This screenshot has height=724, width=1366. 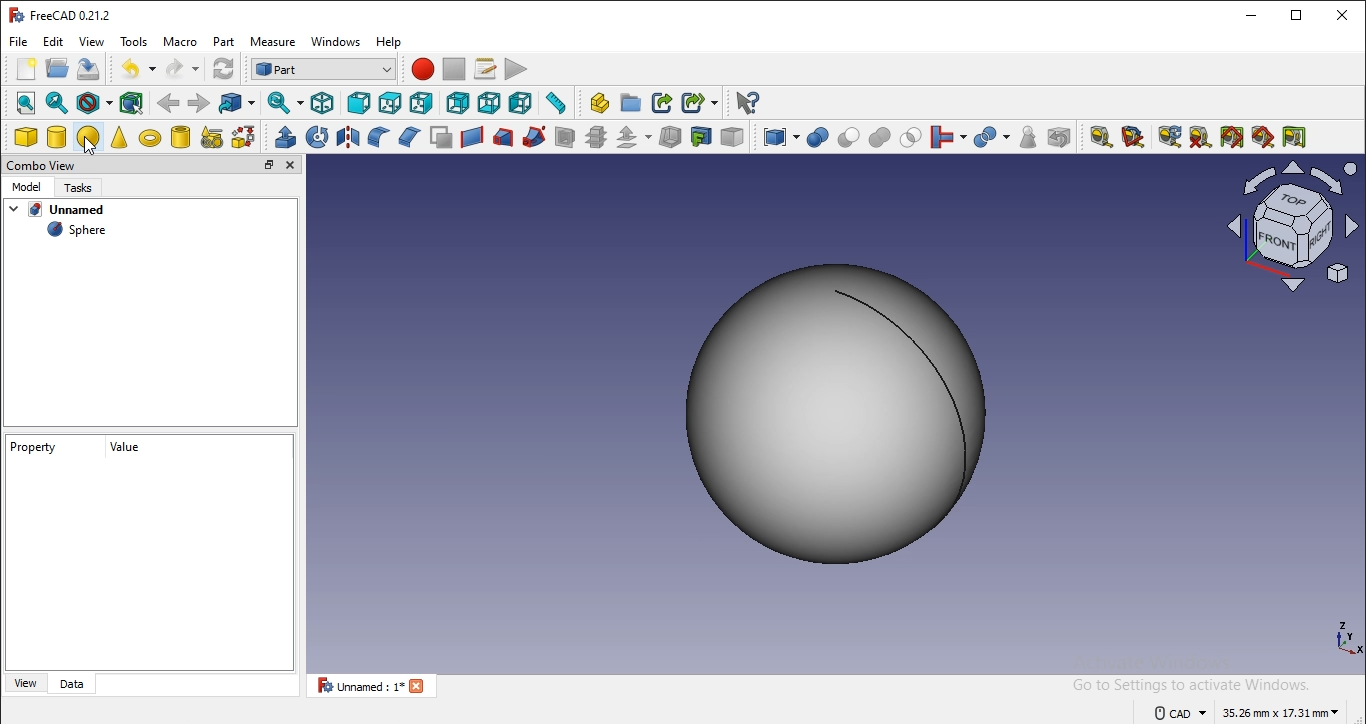 I want to click on macros, so click(x=486, y=69).